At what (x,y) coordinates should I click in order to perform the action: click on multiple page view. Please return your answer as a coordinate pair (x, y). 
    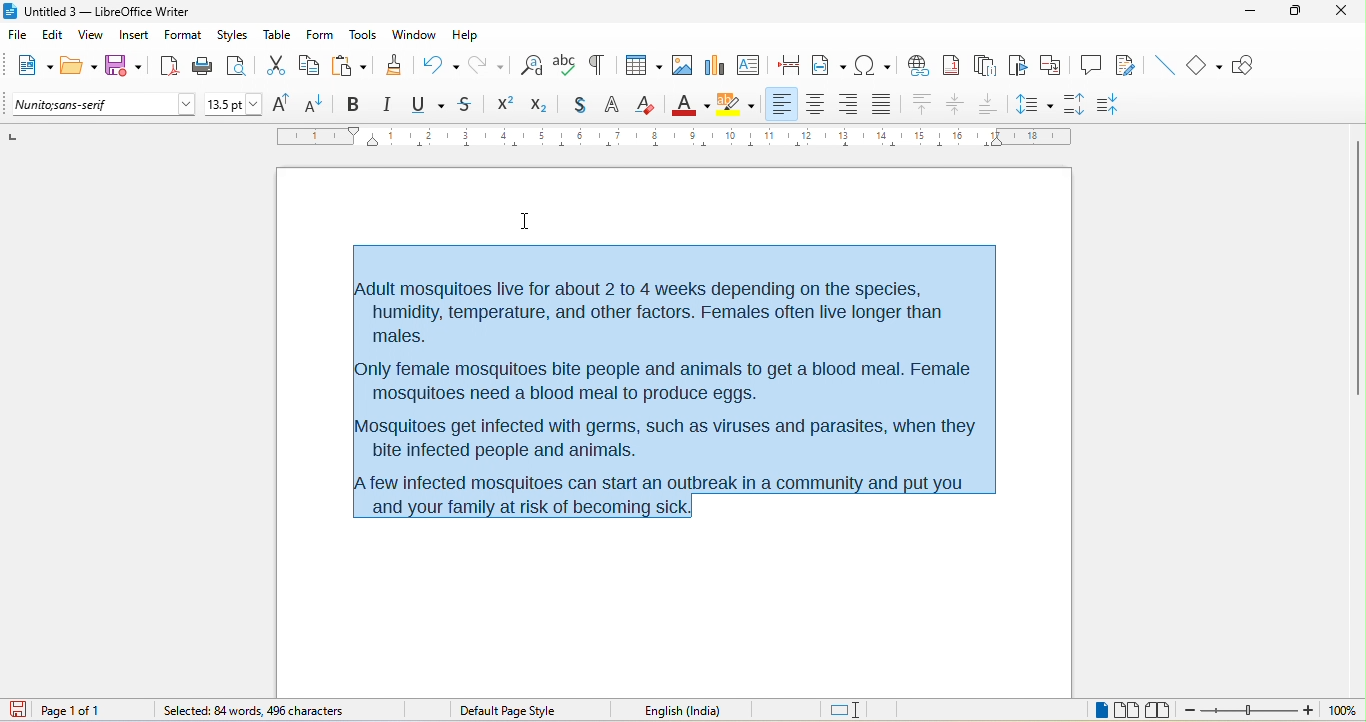
    Looking at the image, I should click on (1127, 711).